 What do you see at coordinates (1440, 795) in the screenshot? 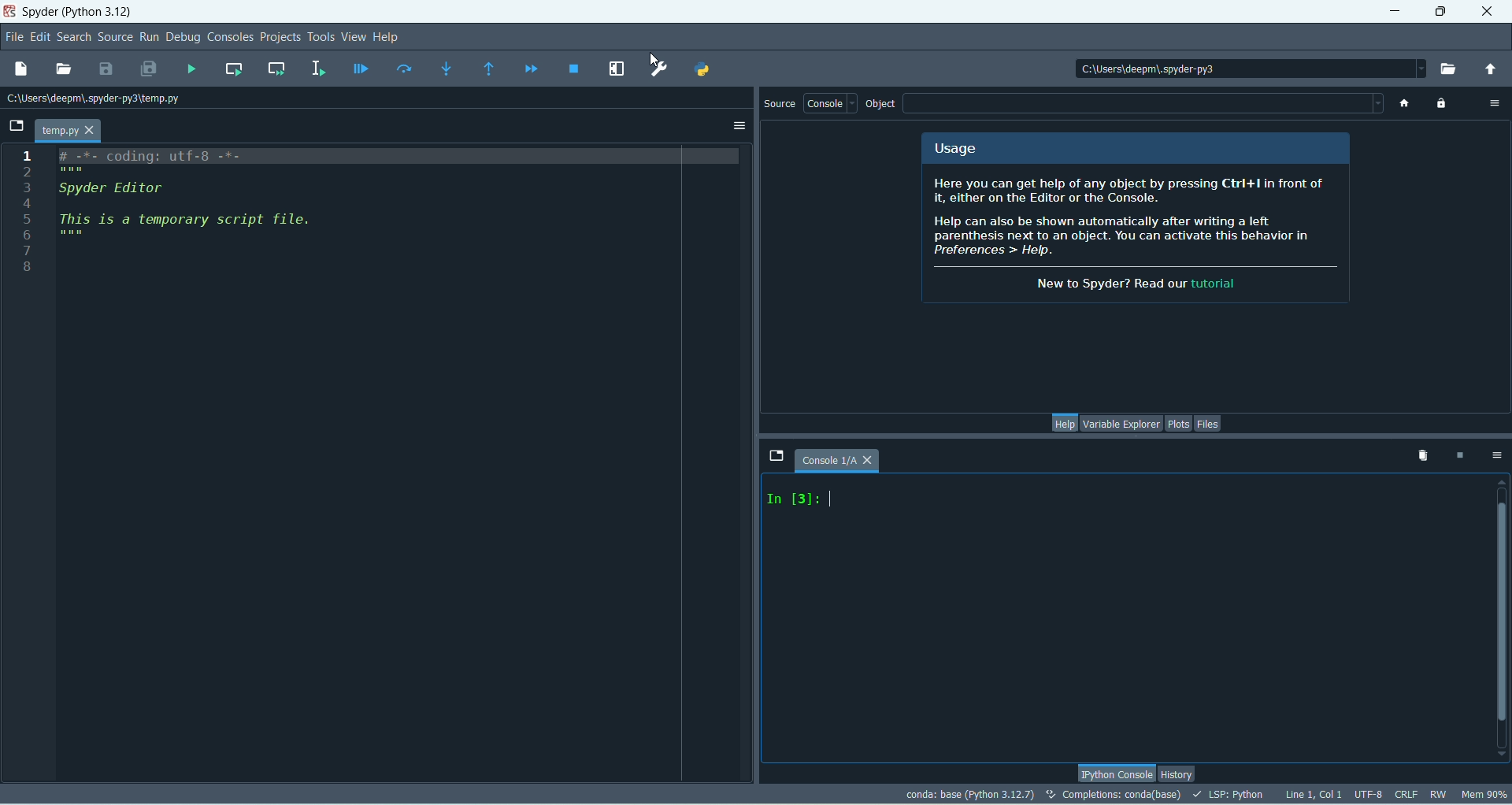
I see `RW` at bounding box center [1440, 795].